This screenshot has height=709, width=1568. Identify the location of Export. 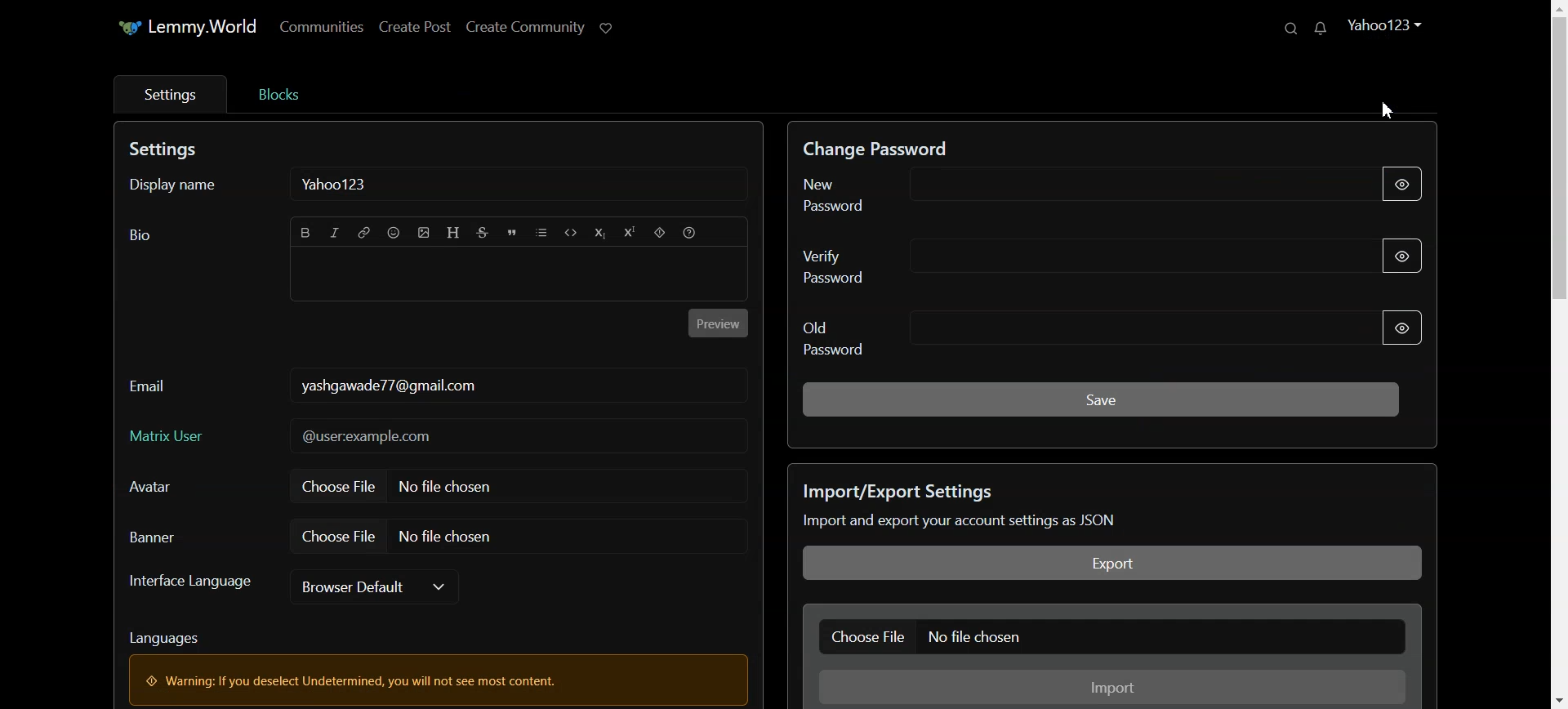
(1111, 563).